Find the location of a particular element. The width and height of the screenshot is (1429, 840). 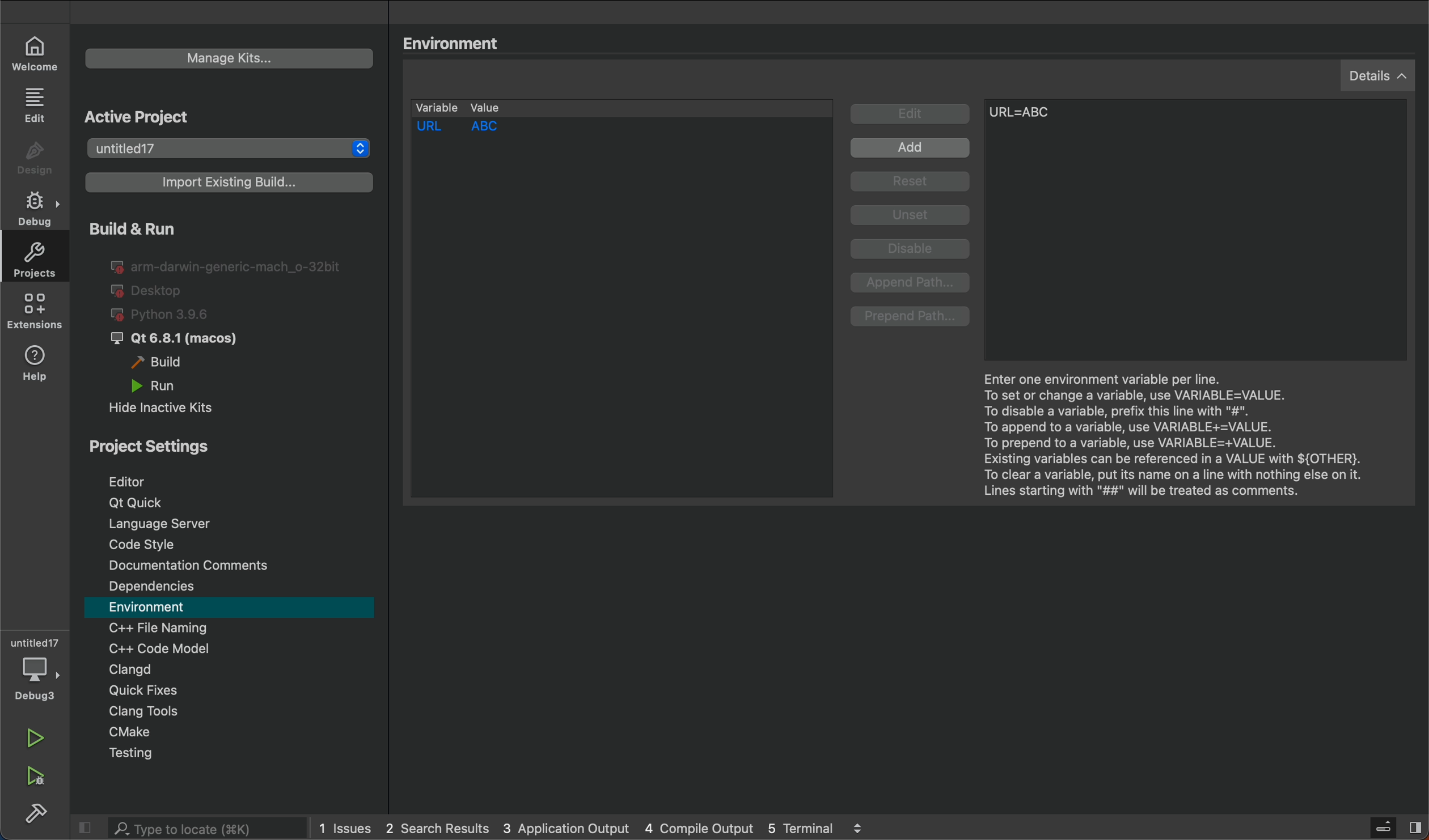

Dependencies  is located at coordinates (233, 587).